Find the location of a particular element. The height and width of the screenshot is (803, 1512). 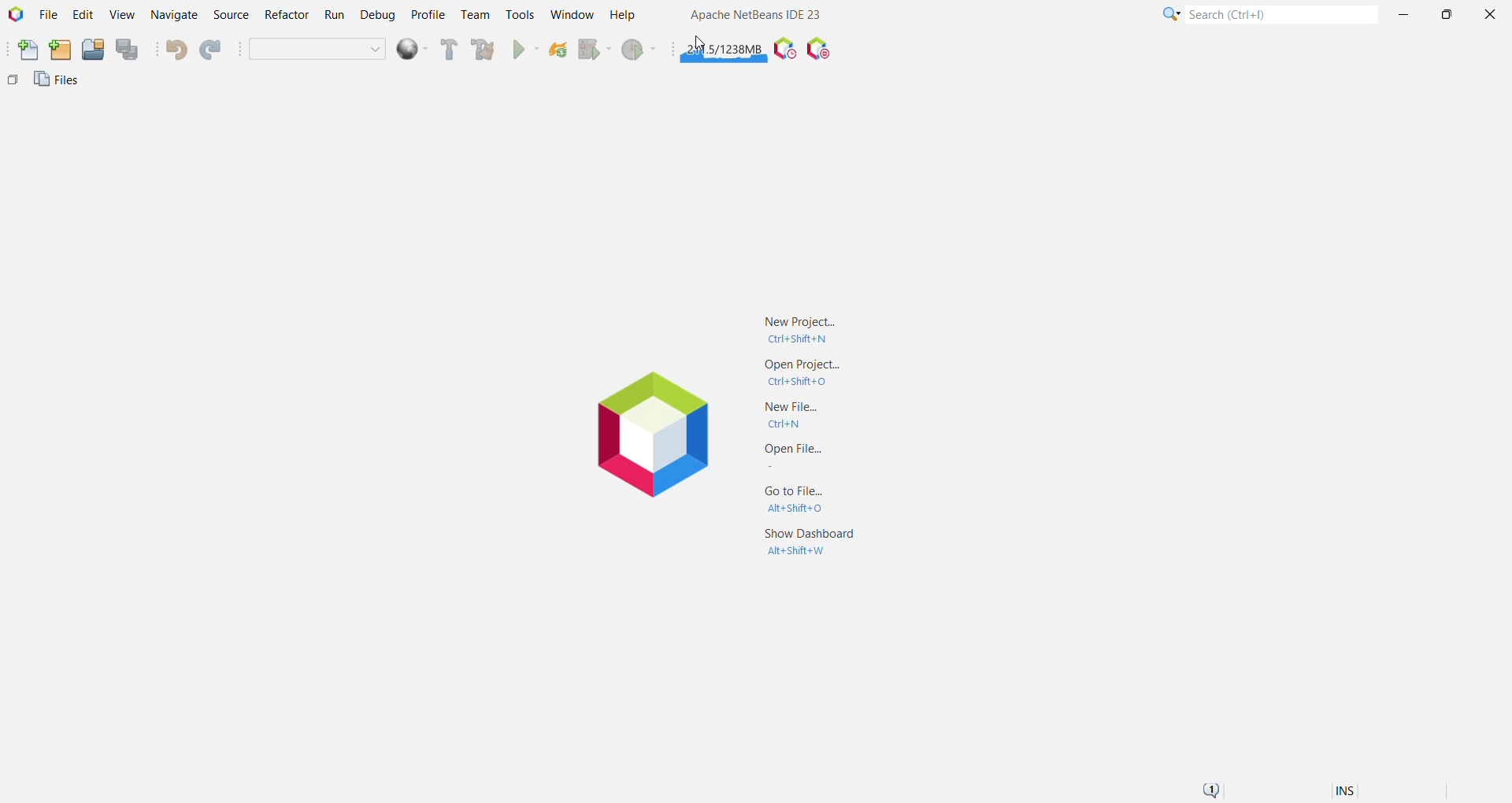

Insert Mode is located at coordinates (1347, 793).